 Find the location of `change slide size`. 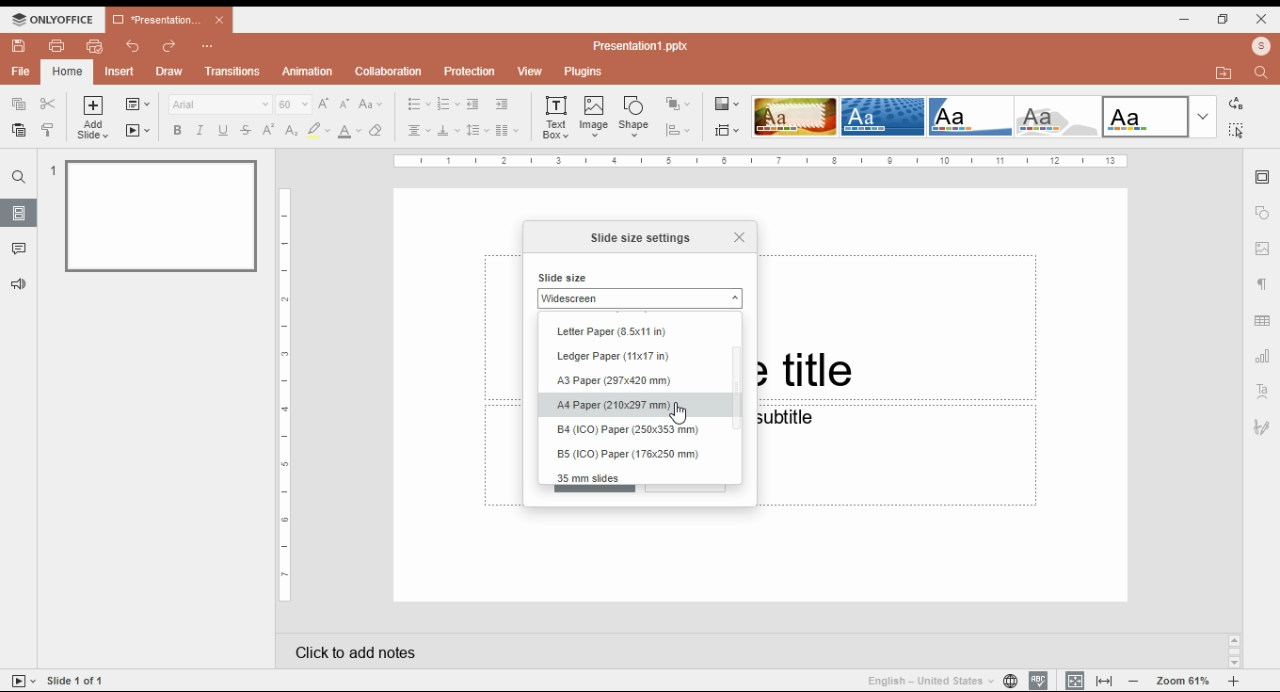

change slide size is located at coordinates (727, 130).